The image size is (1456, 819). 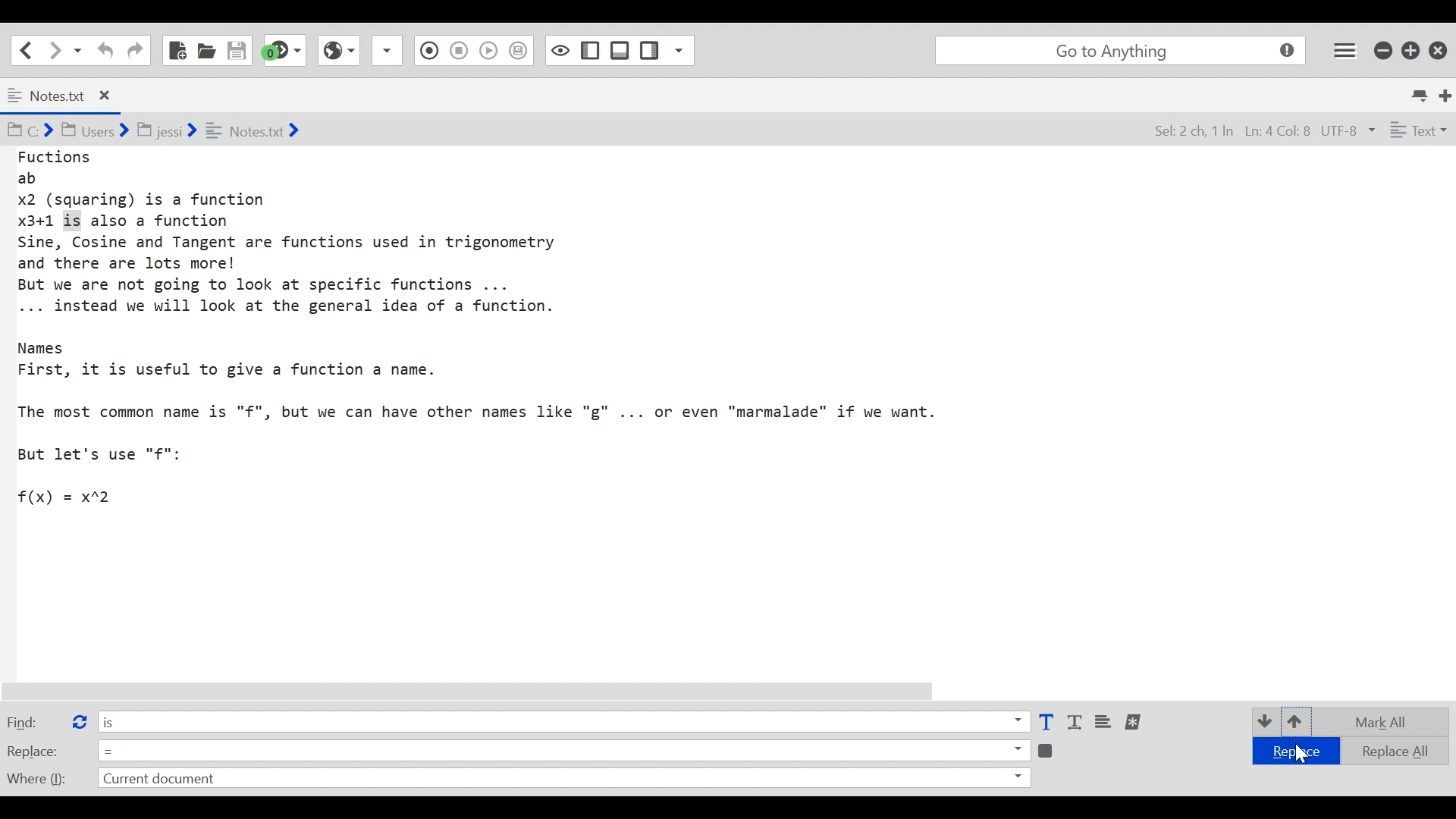 I want to click on Replace All, so click(x=1385, y=749).